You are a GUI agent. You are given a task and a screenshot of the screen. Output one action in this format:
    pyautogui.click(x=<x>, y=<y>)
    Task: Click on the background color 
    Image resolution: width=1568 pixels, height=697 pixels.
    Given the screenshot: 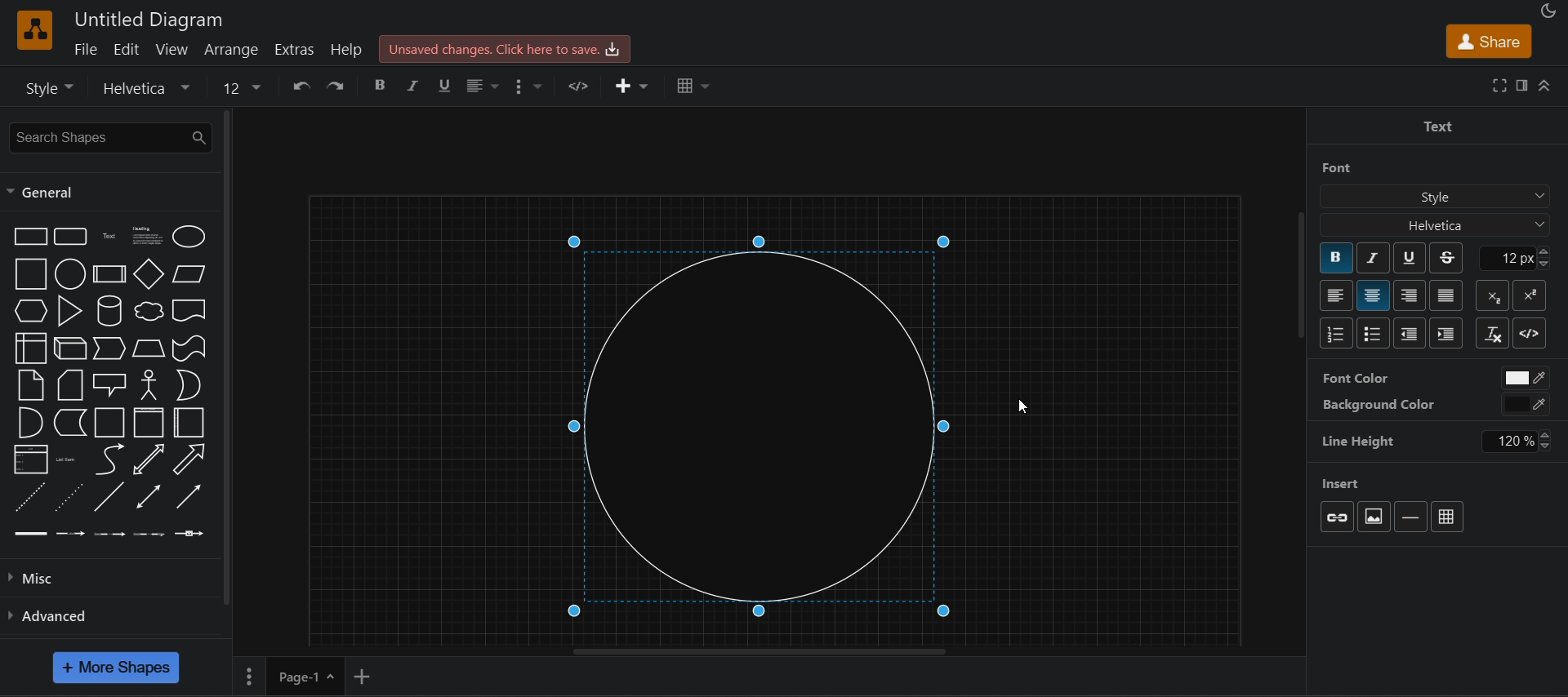 What is the action you would take?
    pyautogui.click(x=1388, y=408)
    